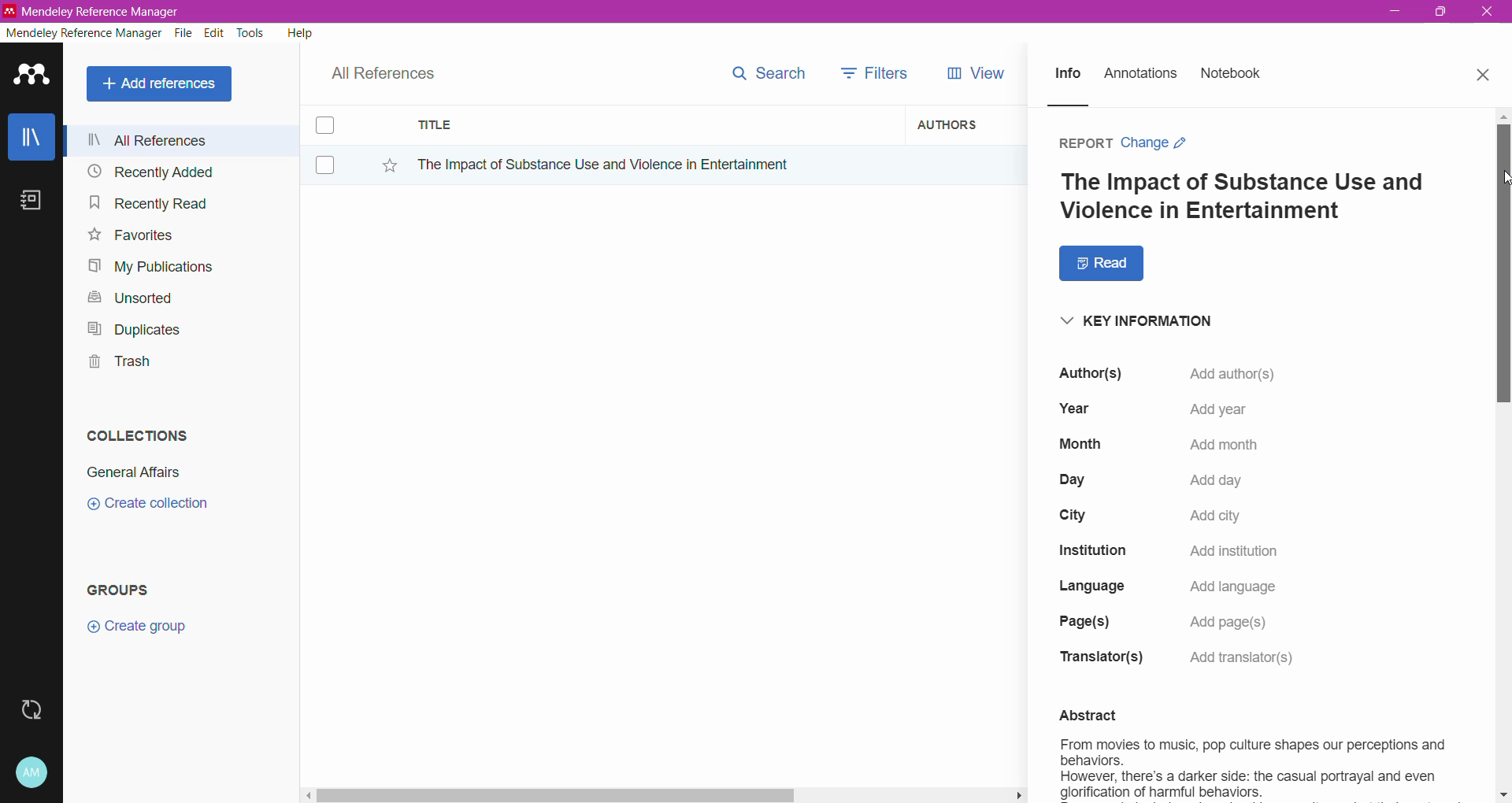 The height and width of the screenshot is (803, 1512). I want to click on Reference Title, so click(653, 164).